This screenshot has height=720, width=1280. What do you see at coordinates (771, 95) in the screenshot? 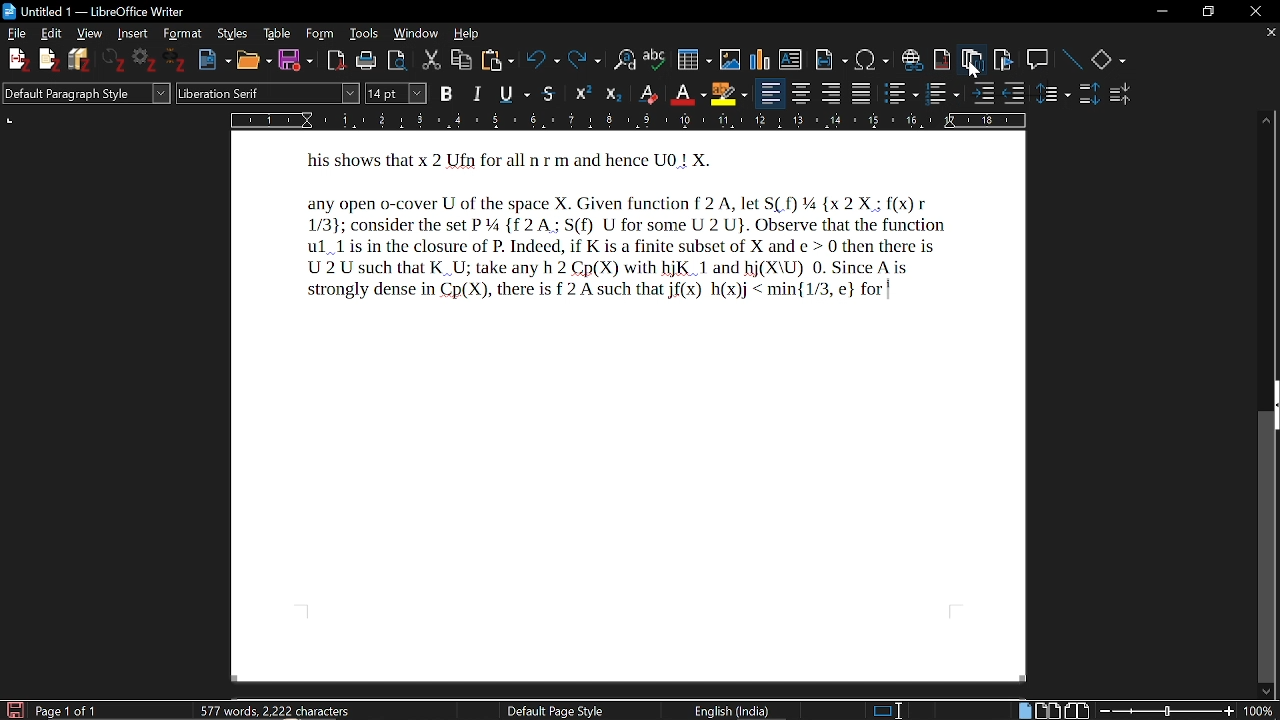
I see `Align left` at bounding box center [771, 95].